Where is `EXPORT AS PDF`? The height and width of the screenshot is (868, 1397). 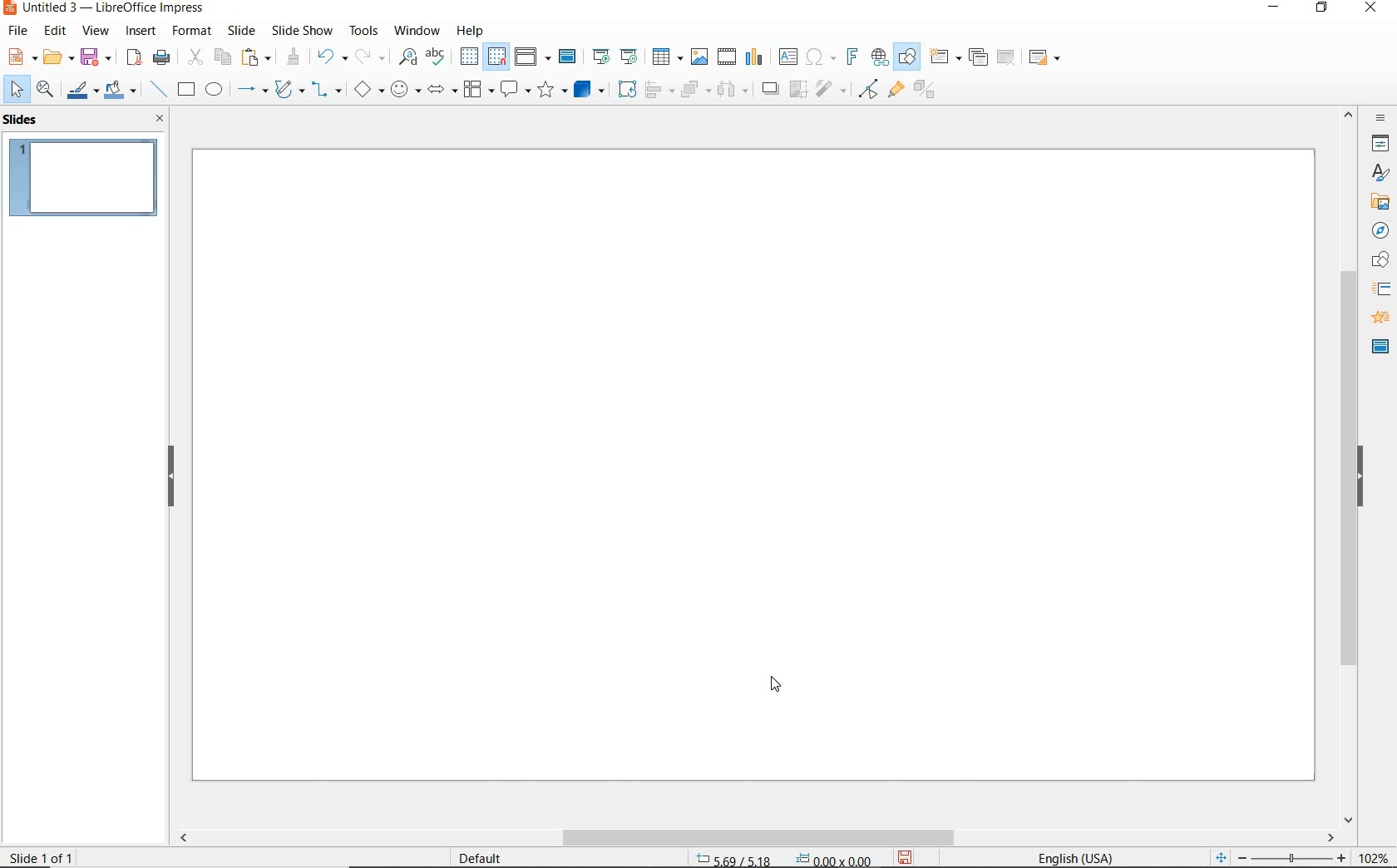 EXPORT AS PDF is located at coordinates (135, 58).